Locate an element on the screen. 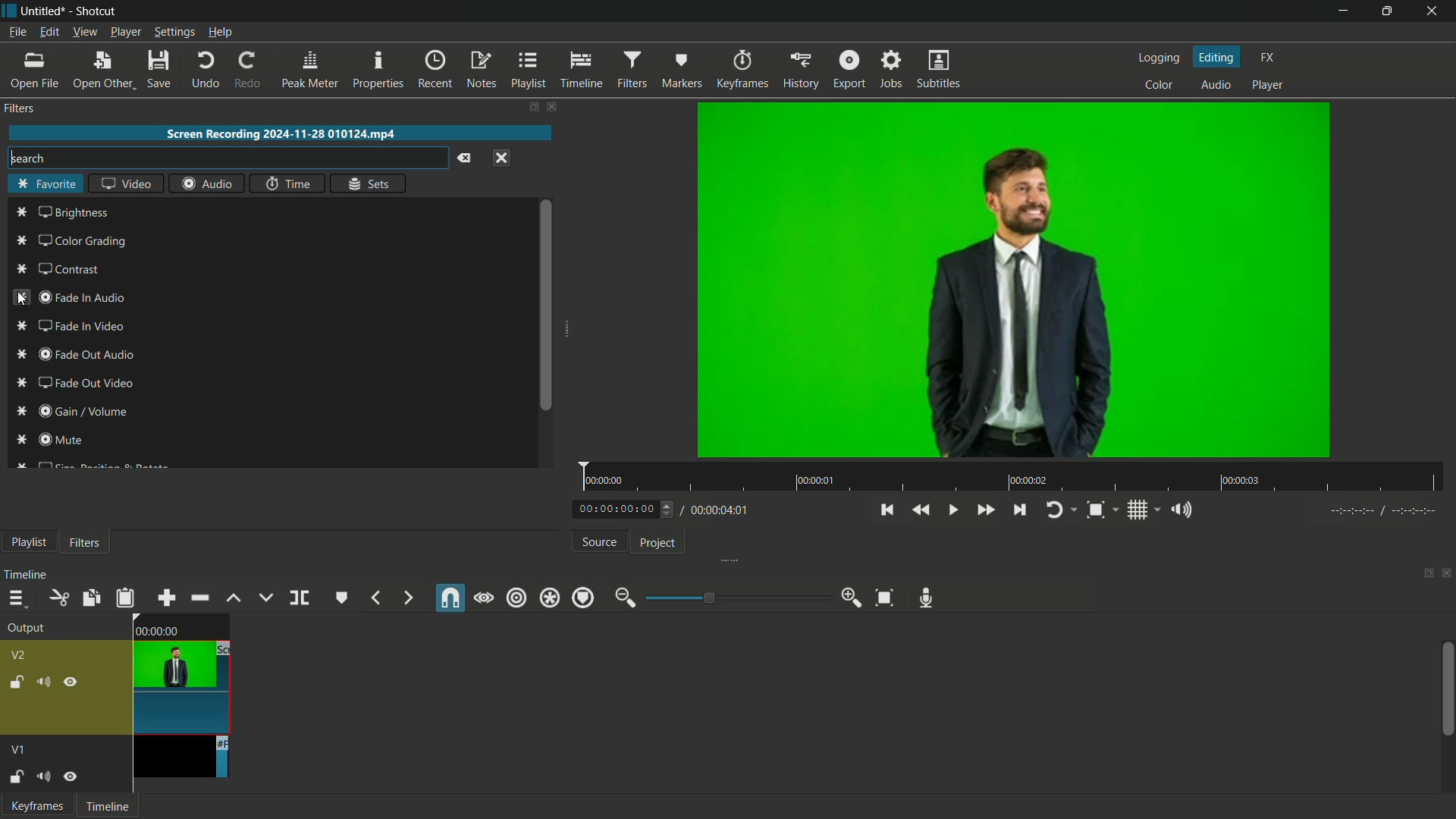 The image size is (1456, 819). zoom in is located at coordinates (852, 598).